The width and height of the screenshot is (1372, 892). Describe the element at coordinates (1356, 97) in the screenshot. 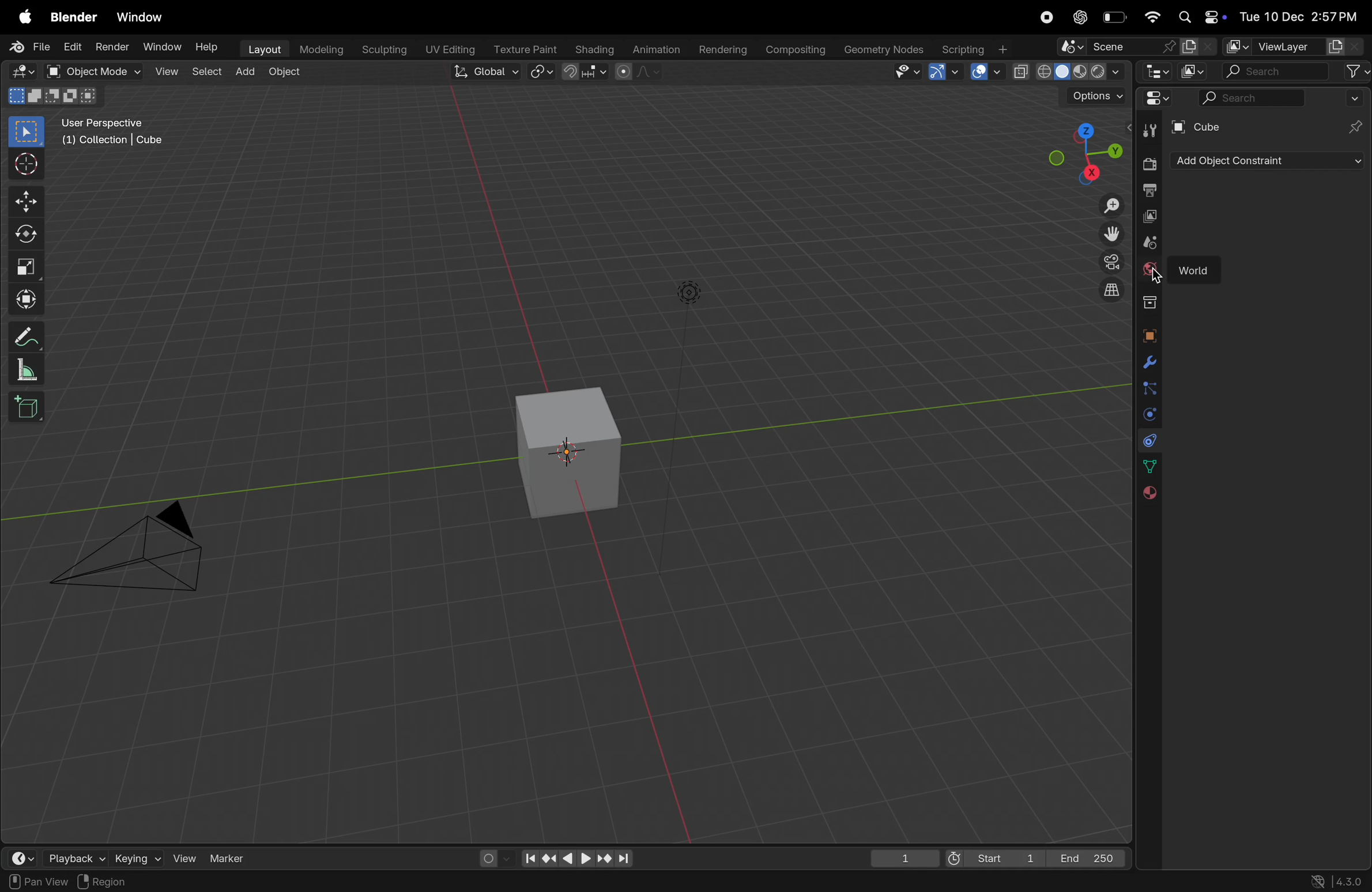

I see `Filter` at that location.